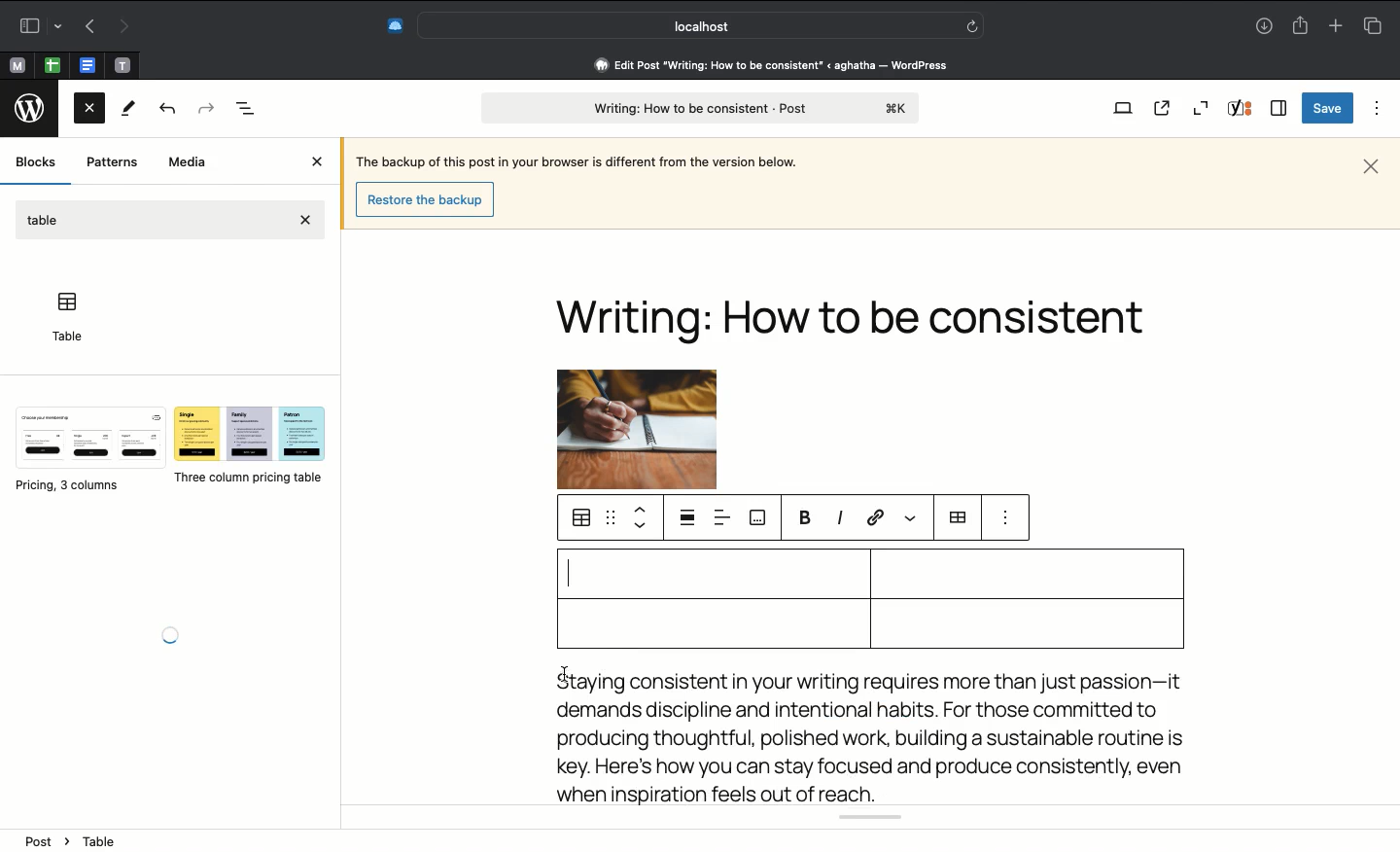 The image size is (1400, 852). I want to click on Table, so click(65, 316).